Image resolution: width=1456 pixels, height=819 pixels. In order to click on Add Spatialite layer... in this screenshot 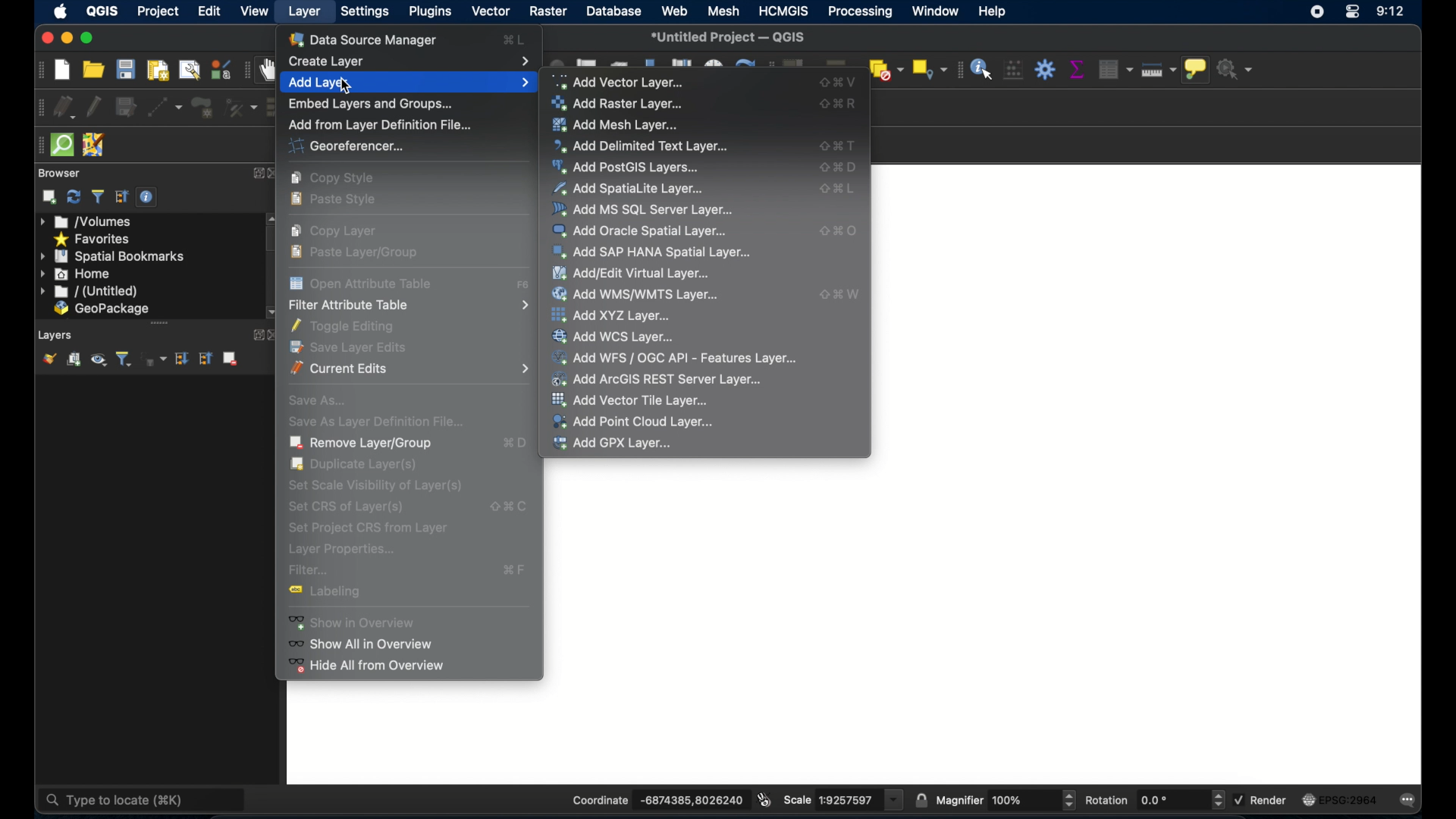, I will do `click(706, 188)`.